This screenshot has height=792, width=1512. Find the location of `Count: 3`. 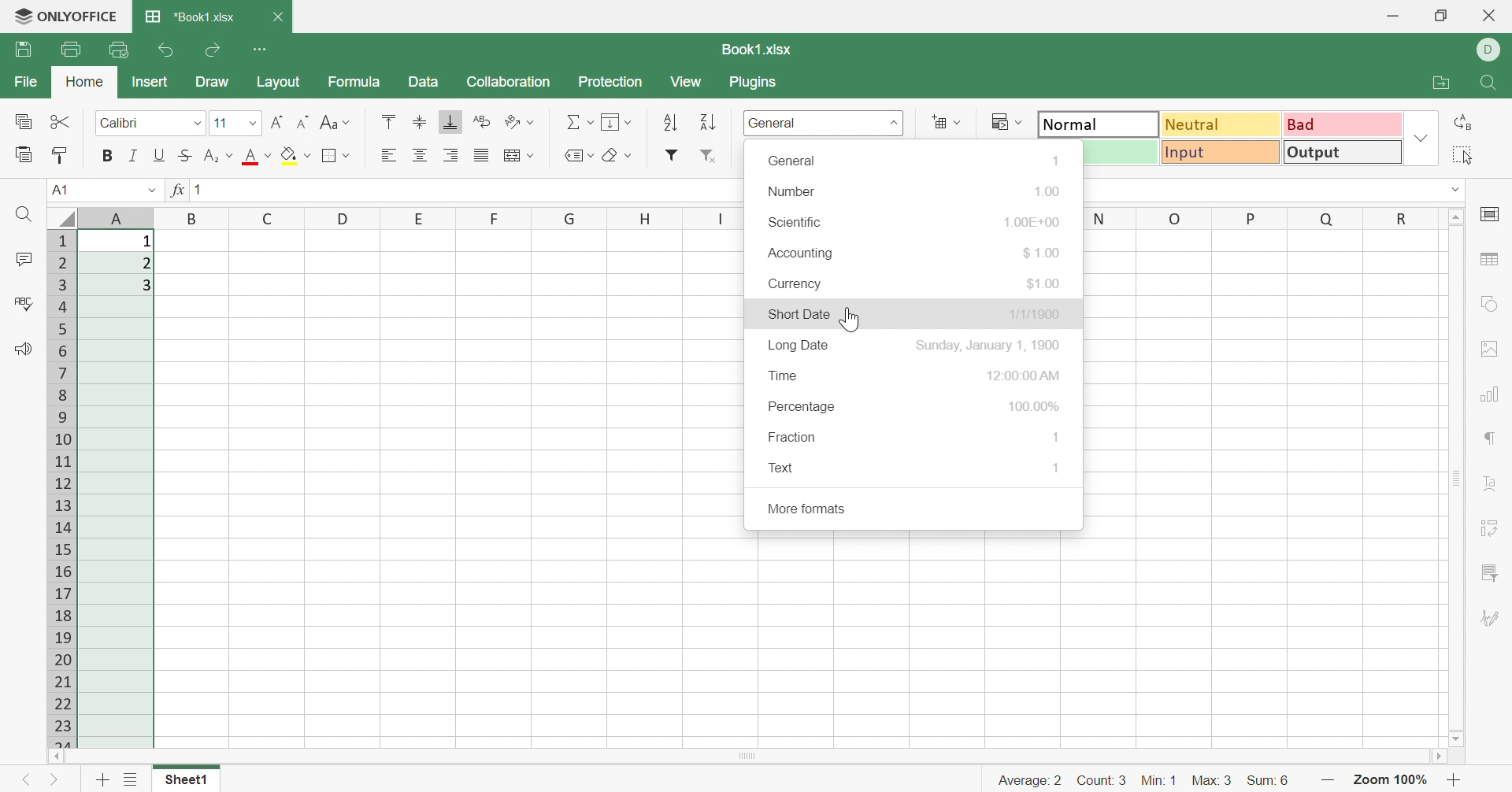

Count: 3 is located at coordinates (1102, 781).